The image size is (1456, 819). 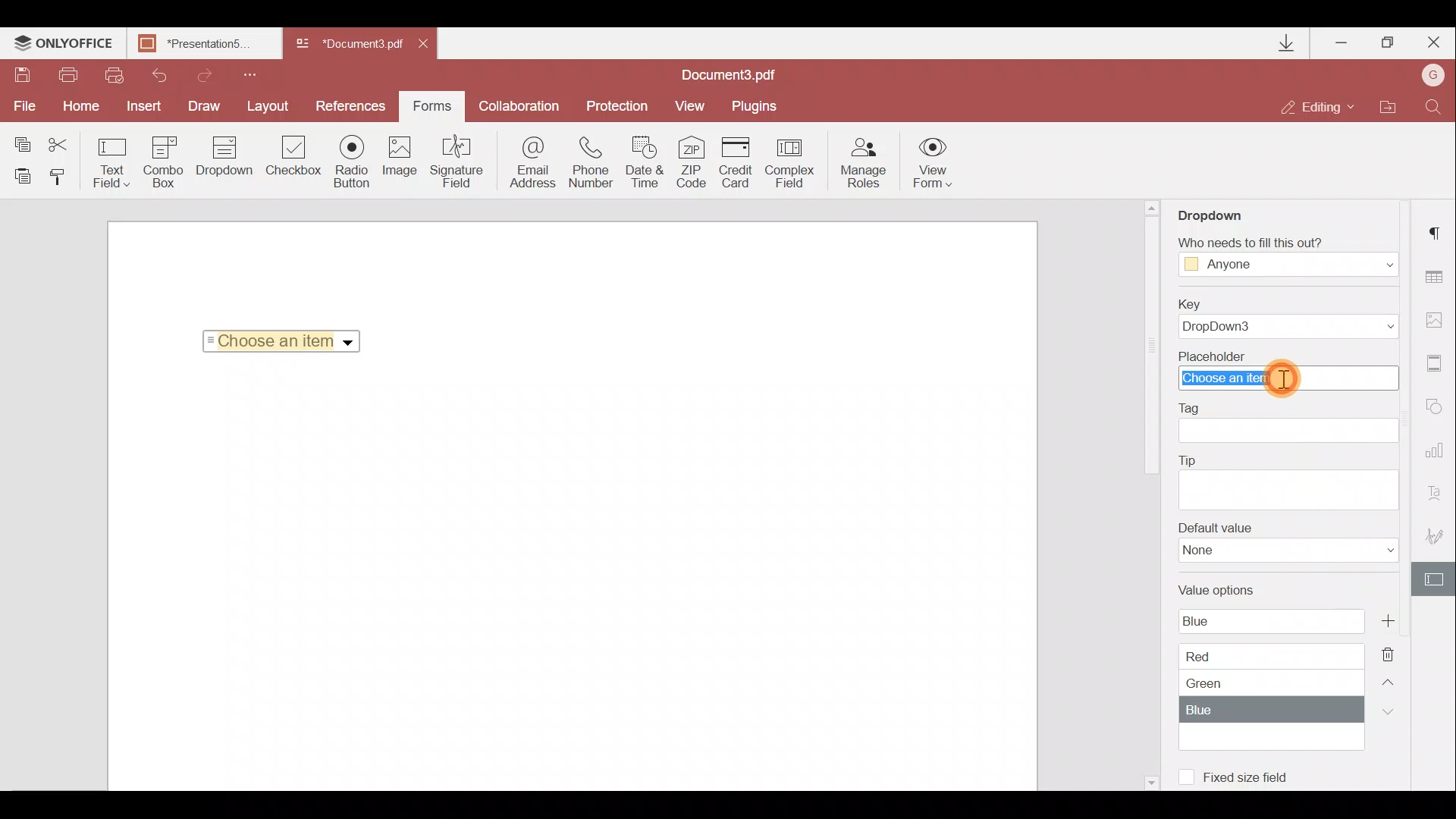 What do you see at coordinates (209, 45) in the screenshot?
I see `Document name` at bounding box center [209, 45].